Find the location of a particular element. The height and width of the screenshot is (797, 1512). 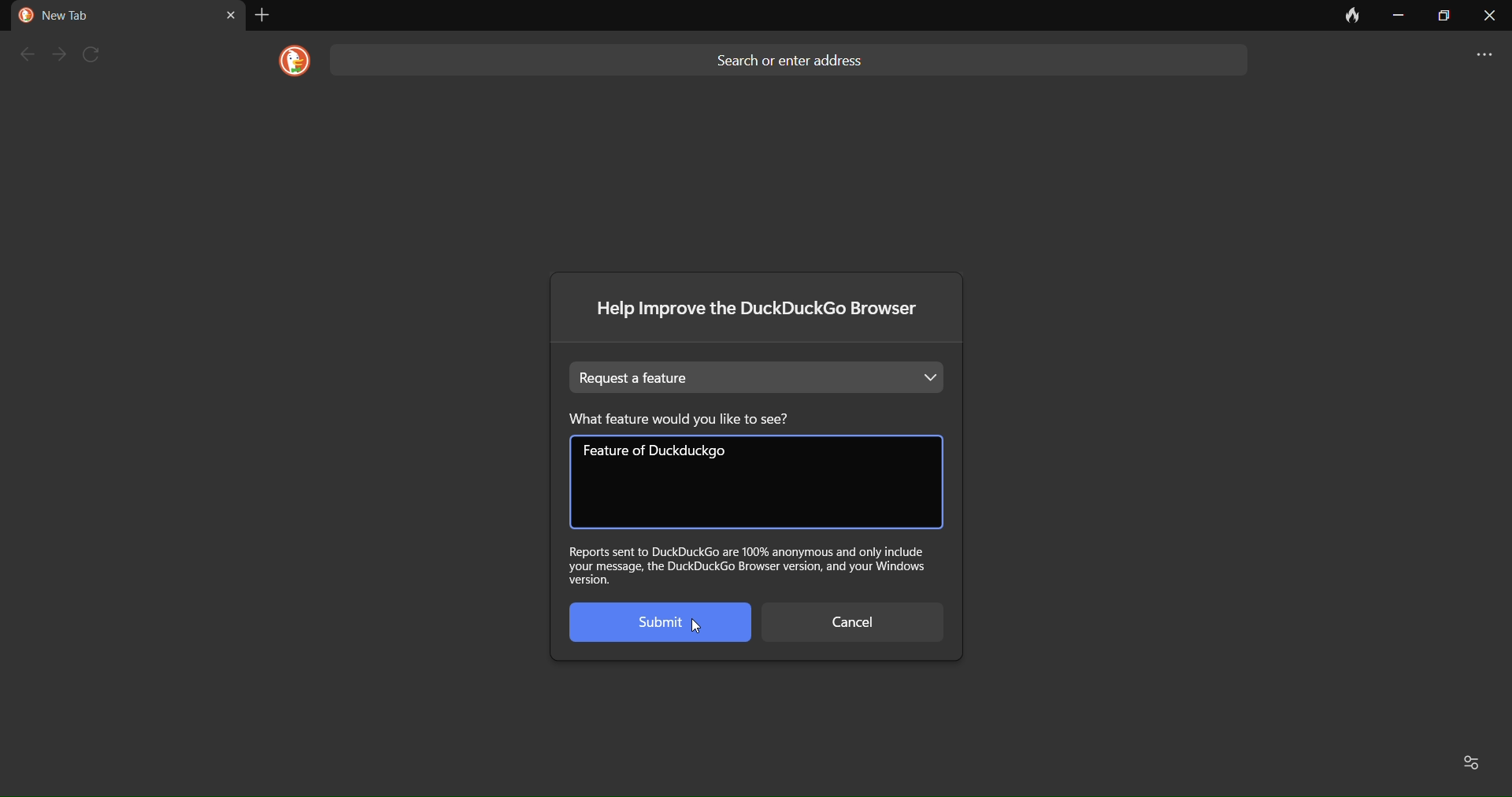

back is located at coordinates (25, 54).